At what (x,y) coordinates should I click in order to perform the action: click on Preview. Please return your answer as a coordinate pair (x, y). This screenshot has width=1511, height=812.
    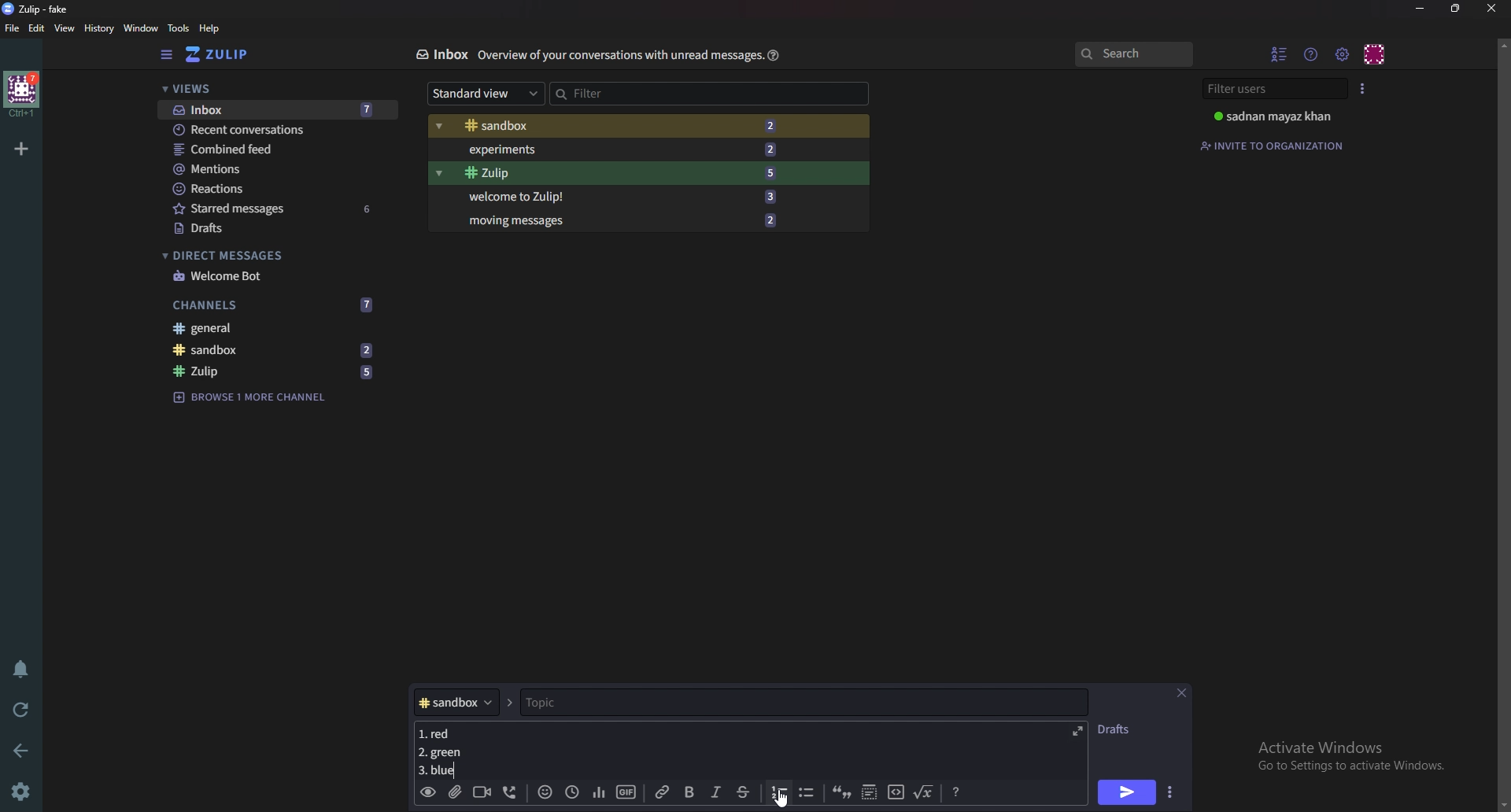
    Looking at the image, I should click on (428, 792).